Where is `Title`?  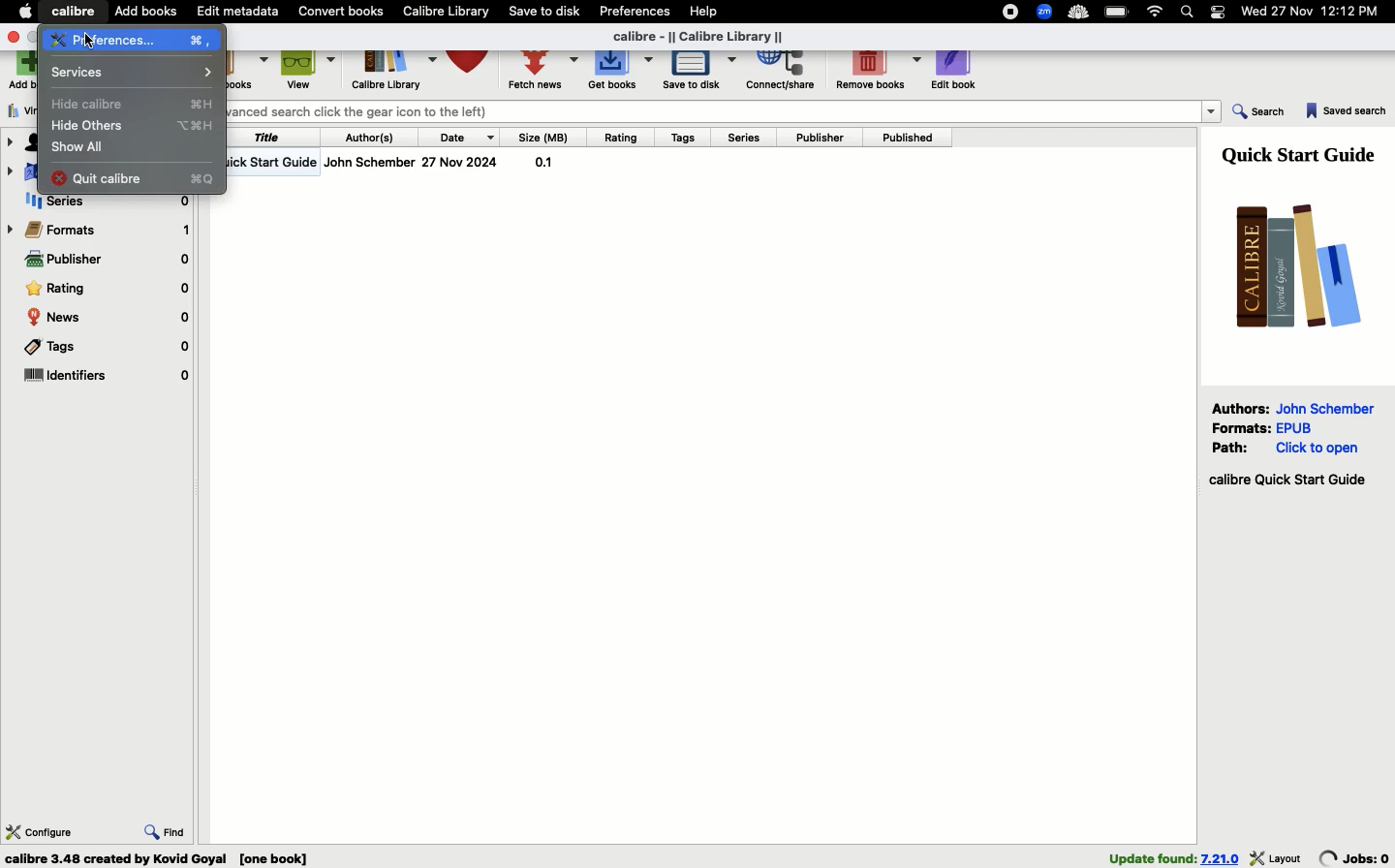
Title is located at coordinates (271, 162).